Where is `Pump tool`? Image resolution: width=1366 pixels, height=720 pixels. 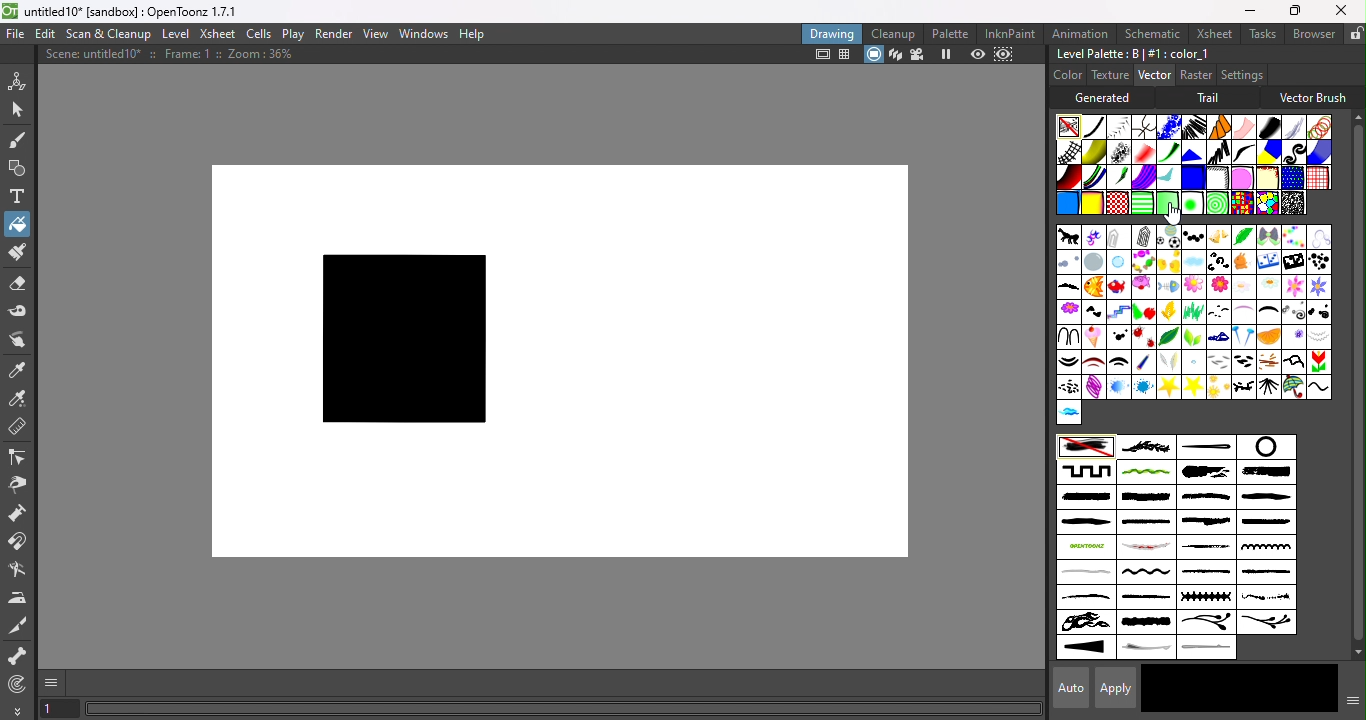
Pump tool is located at coordinates (24, 513).